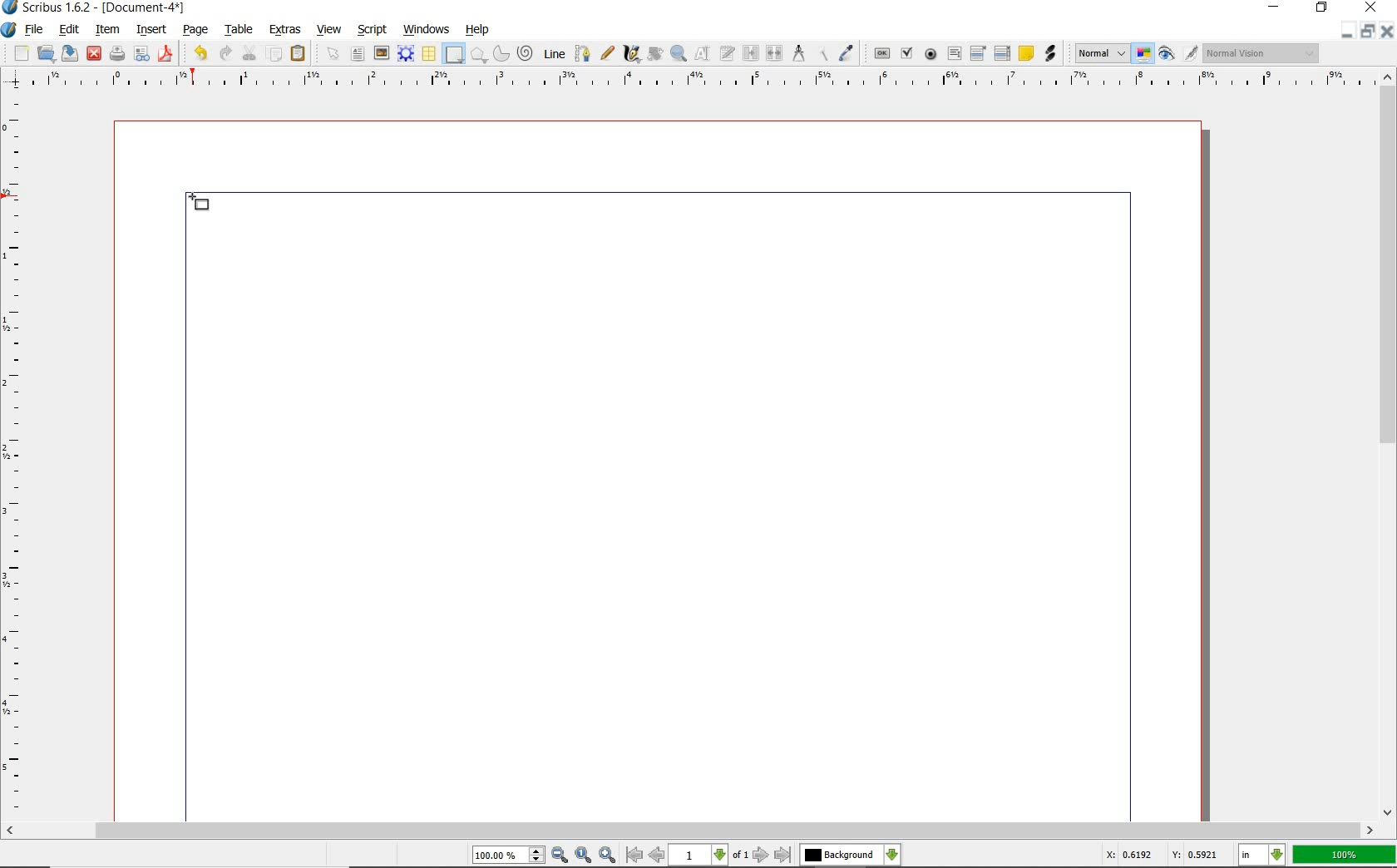 The width and height of the screenshot is (1397, 868). What do you see at coordinates (560, 856) in the screenshot?
I see `zoom out` at bounding box center [560, 856].